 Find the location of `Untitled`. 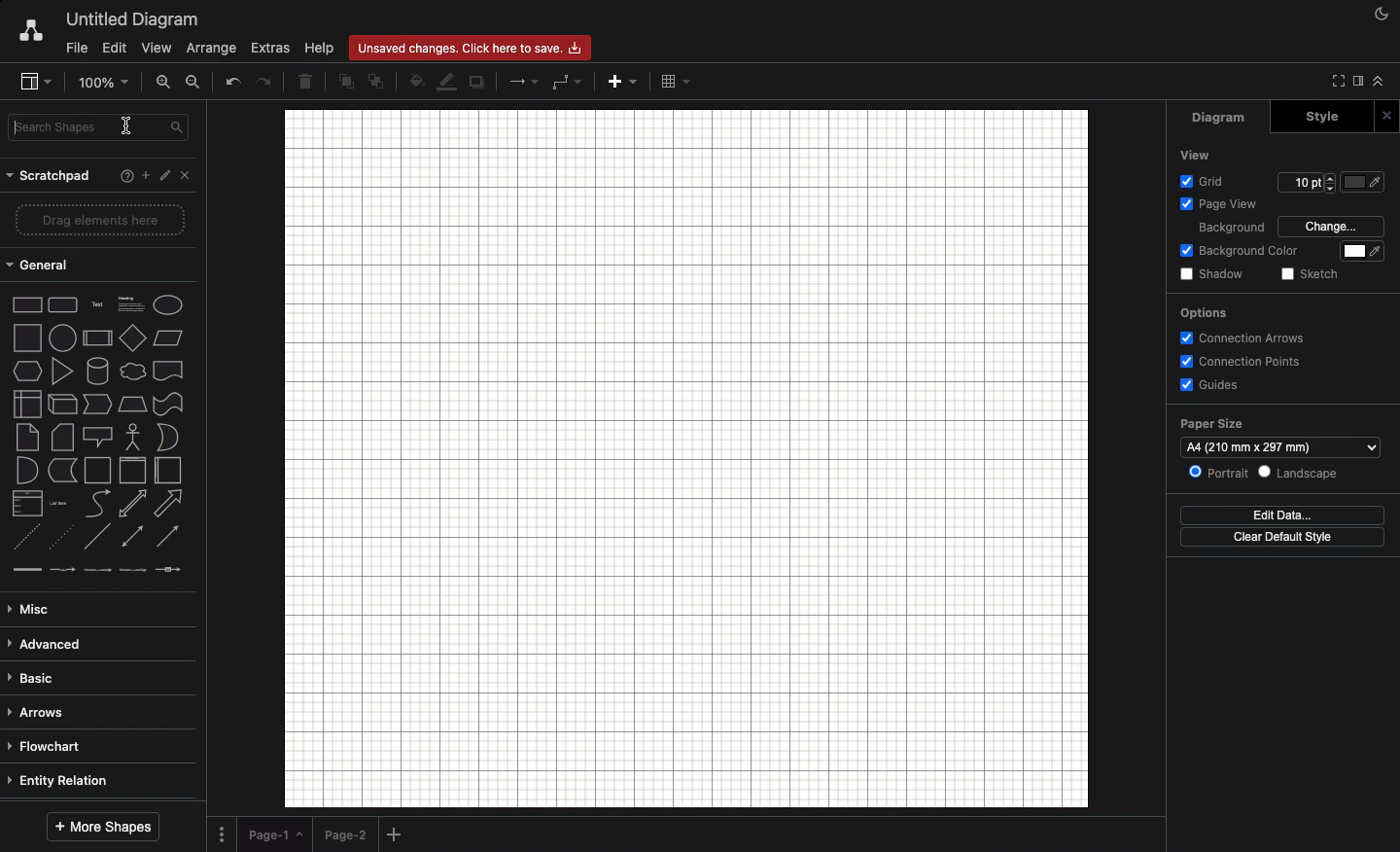

Untitled is located at coordinates (133, 20).